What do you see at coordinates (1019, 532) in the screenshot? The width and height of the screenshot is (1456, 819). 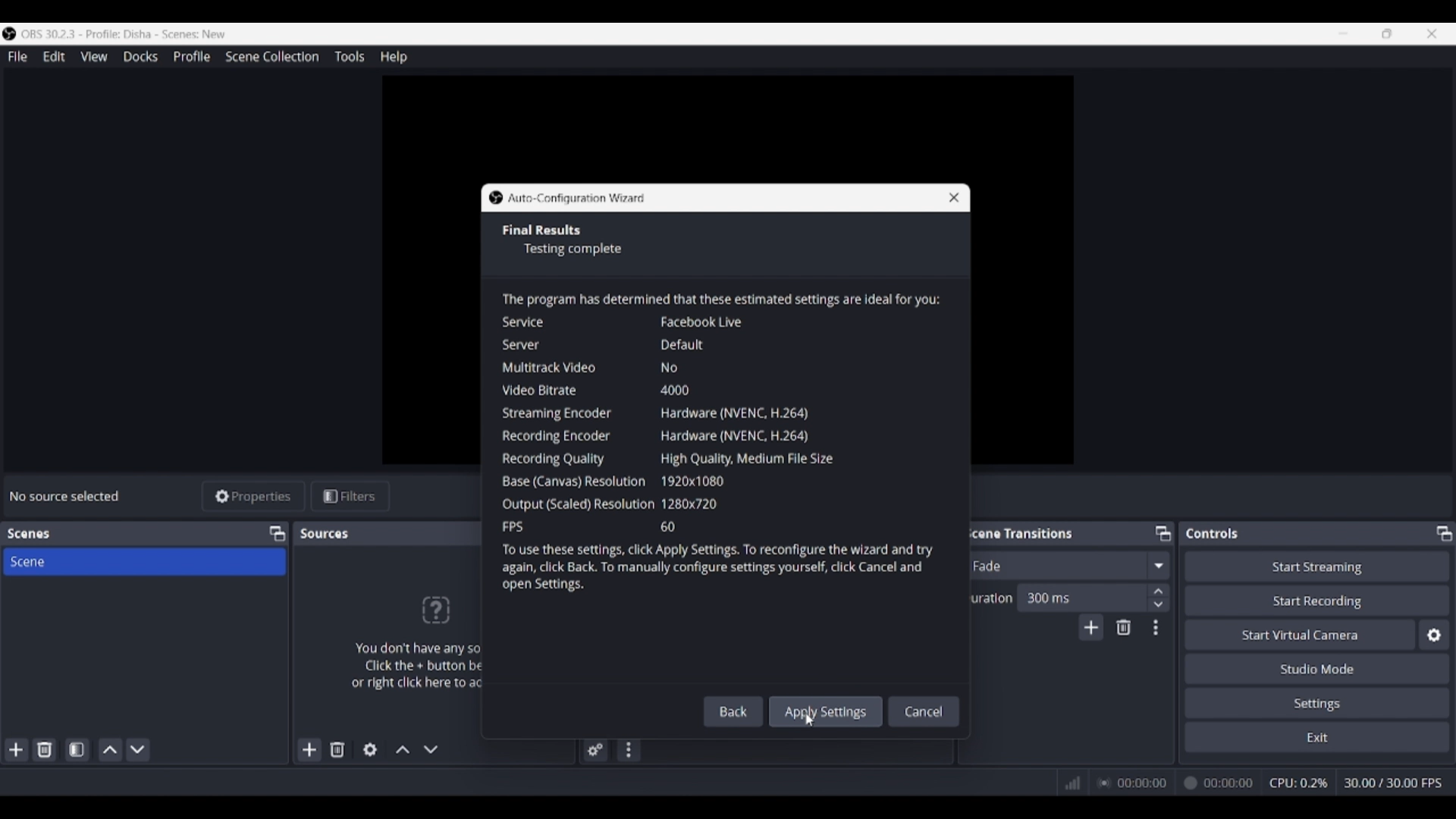 I see `Panel title` at bounding box center [1019, 532].